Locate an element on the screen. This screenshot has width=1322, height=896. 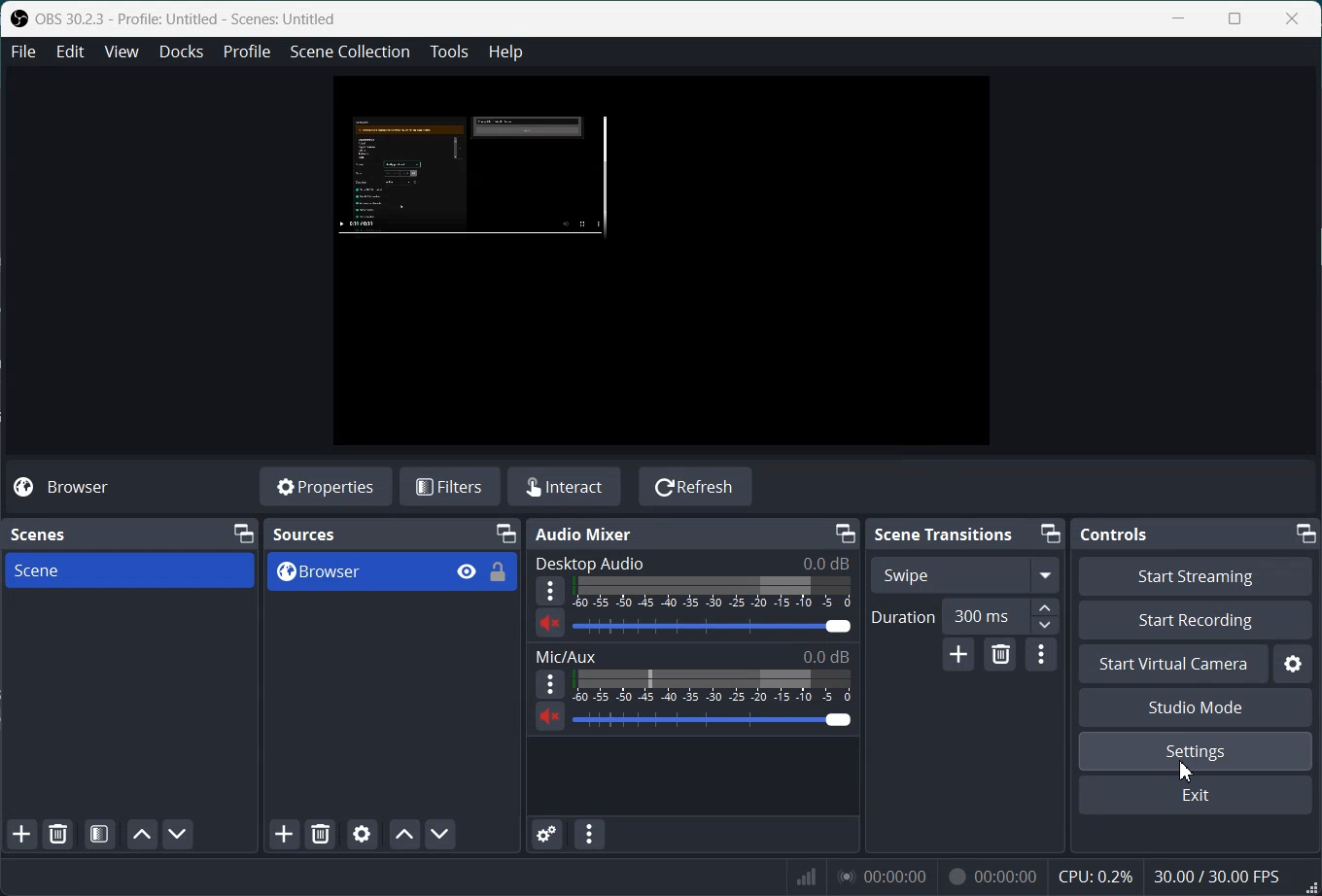
Advance audio properties is located at coordinates (548, 834).